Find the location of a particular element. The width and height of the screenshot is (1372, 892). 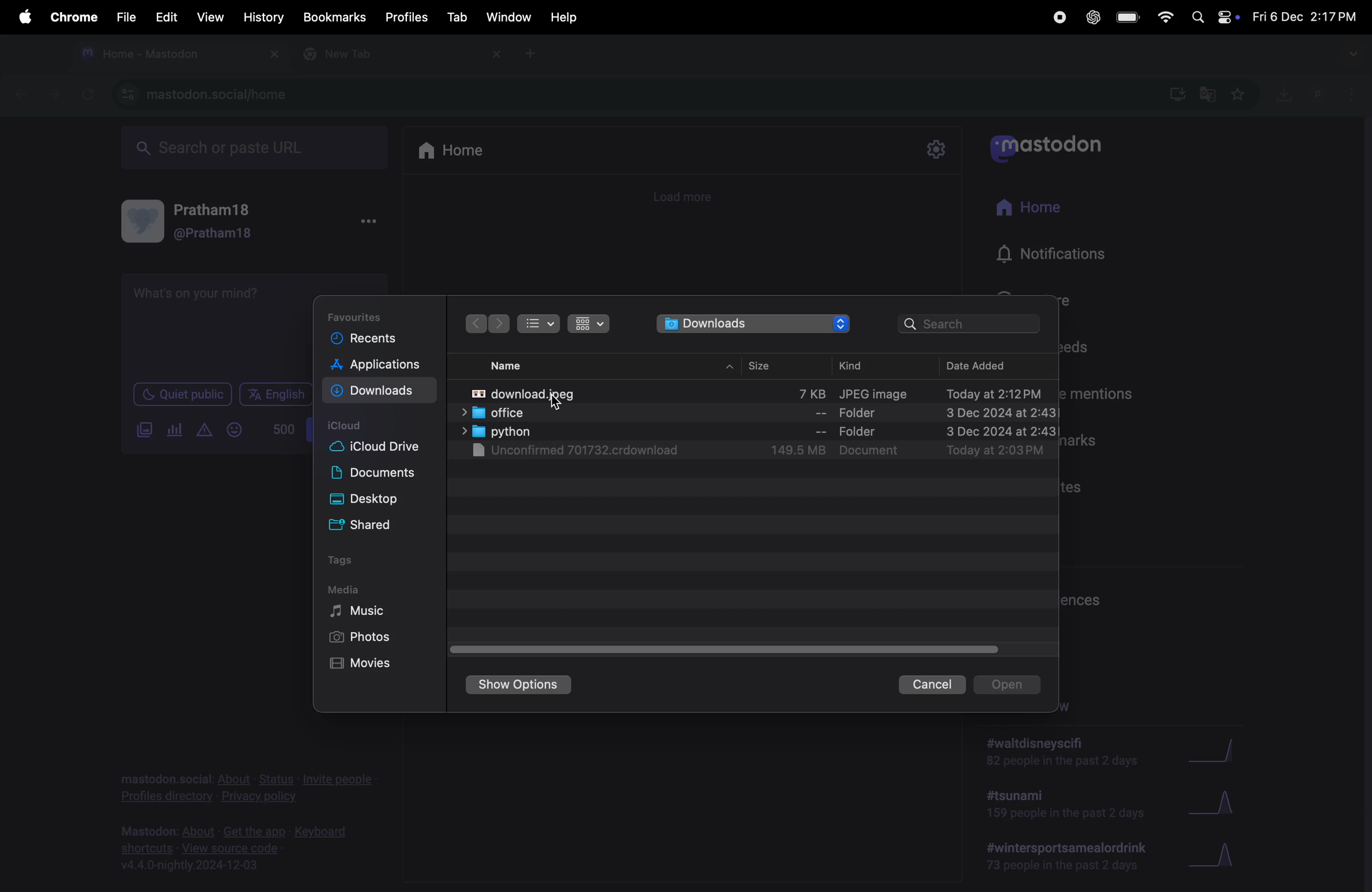

options is located at coordinates (371, 221).